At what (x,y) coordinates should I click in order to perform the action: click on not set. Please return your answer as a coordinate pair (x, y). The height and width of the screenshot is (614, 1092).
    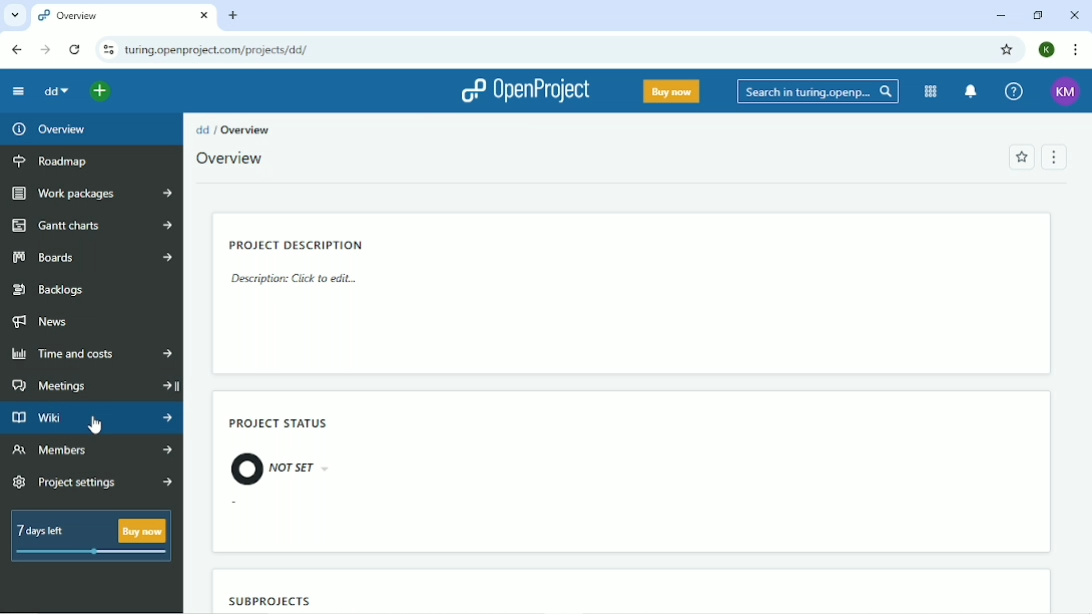
    Looking at the image, I should click on (278, 472).